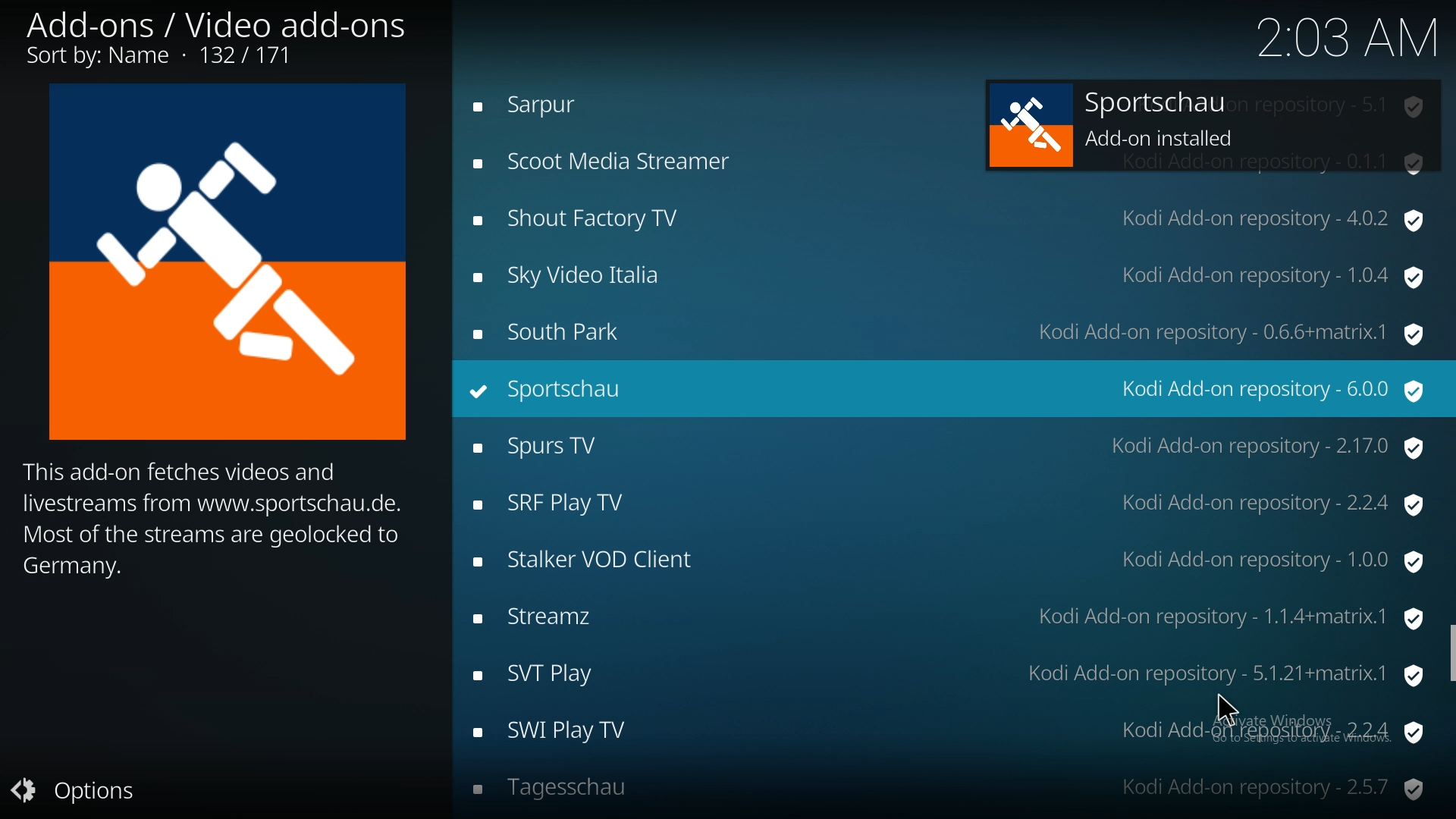 Image resolution: width=1456 pixels, height=819 pixels. Describe the element at coordinates (951, 329) in the screenshot. I see `south park` at that location.